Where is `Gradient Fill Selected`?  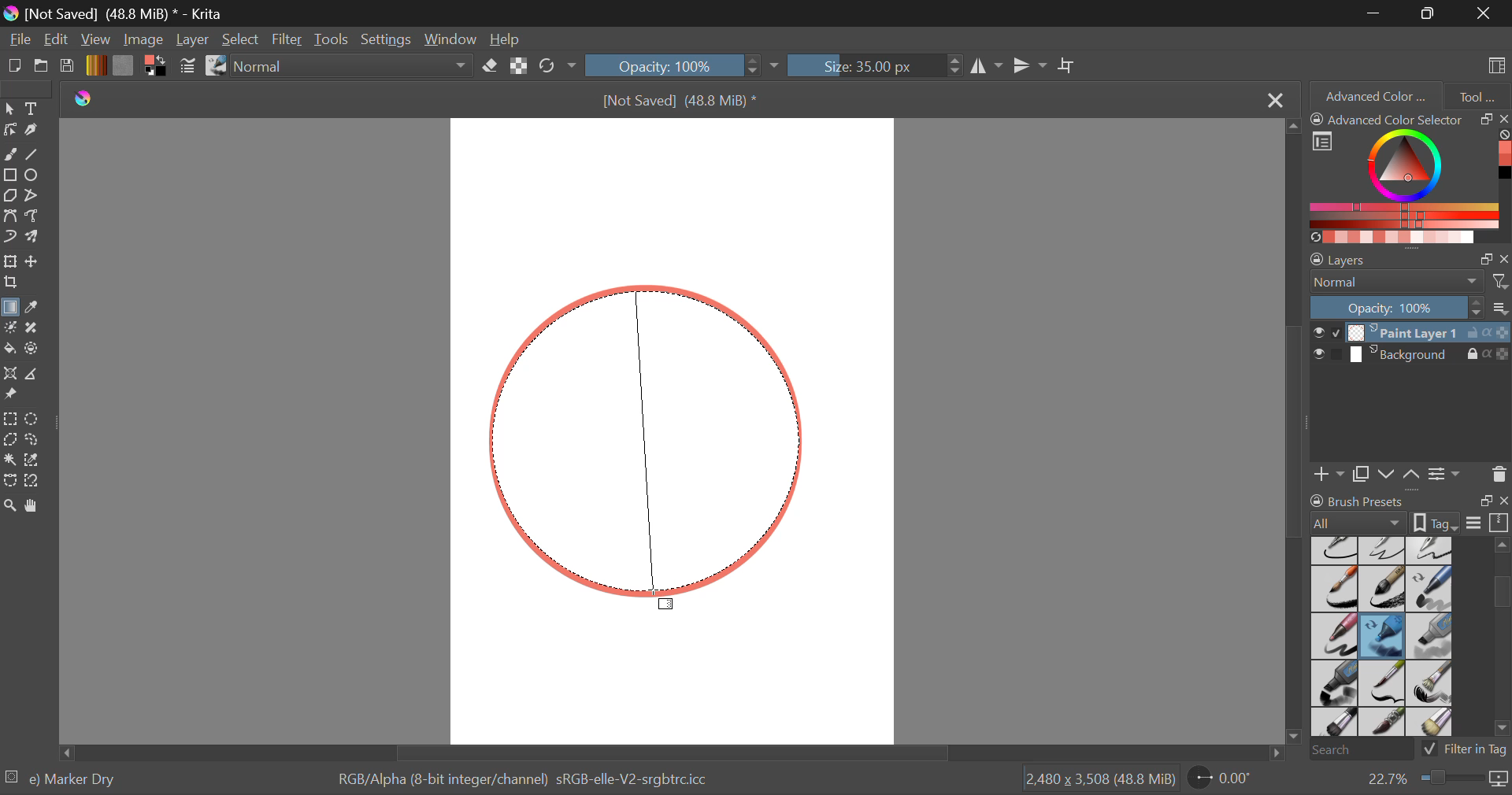 Gradient Fill Selected is located at coordinates (9, 309).